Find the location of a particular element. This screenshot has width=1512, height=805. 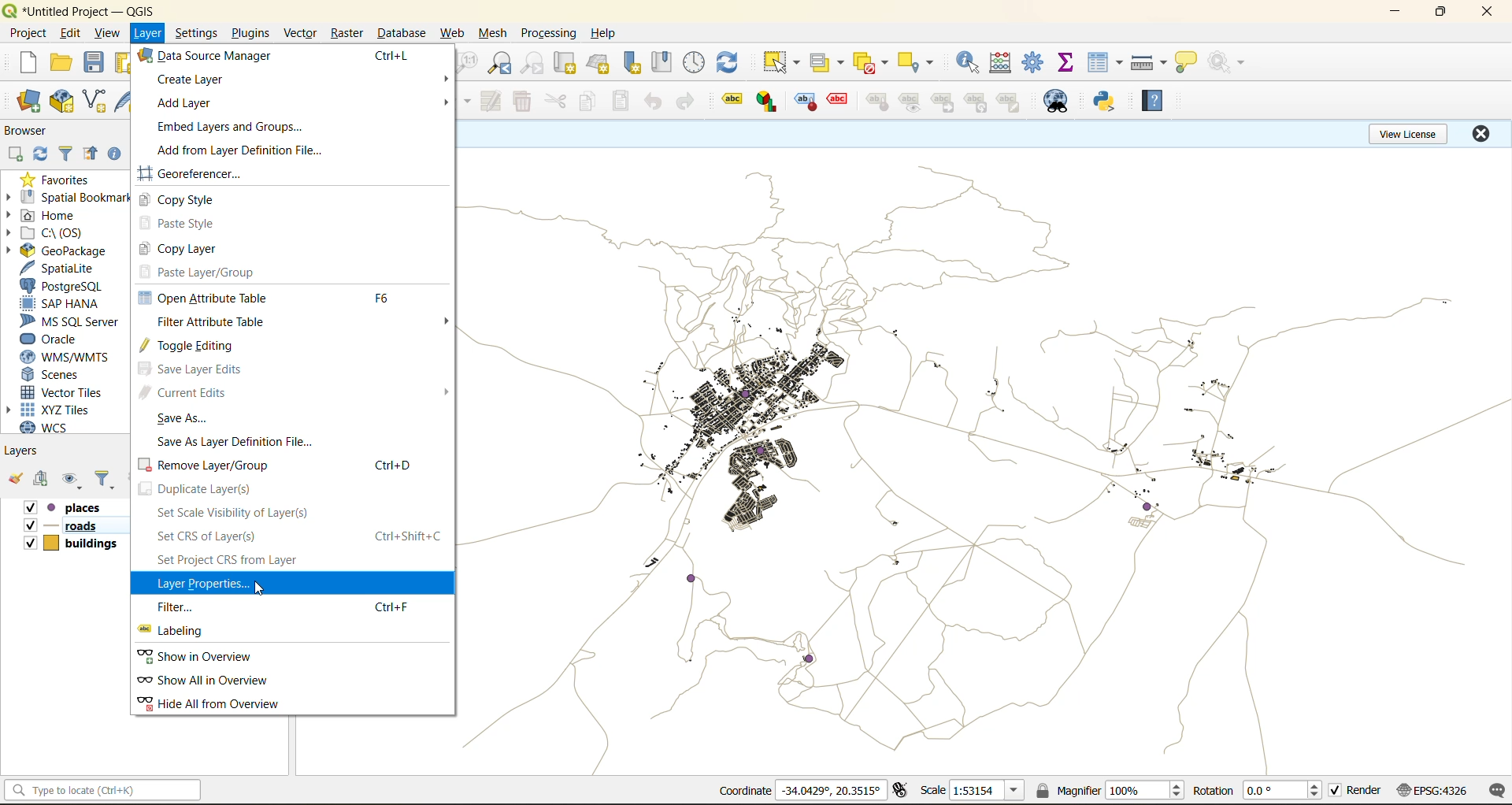

help is located at coordinates (606, 32).